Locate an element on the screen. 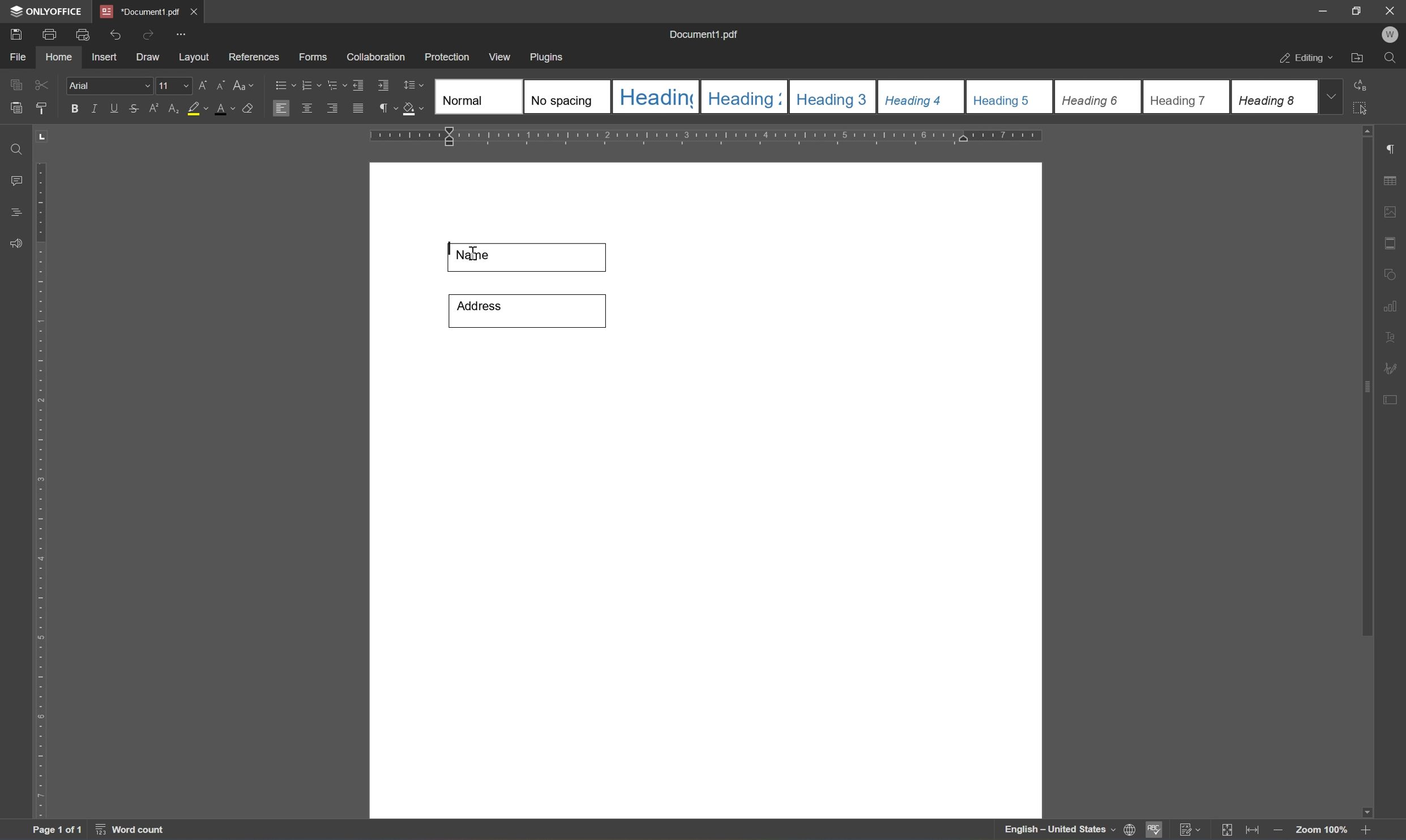 The width and height of the screenshot is (1406, 840). fit to width is located at coordinates (1251, 832).